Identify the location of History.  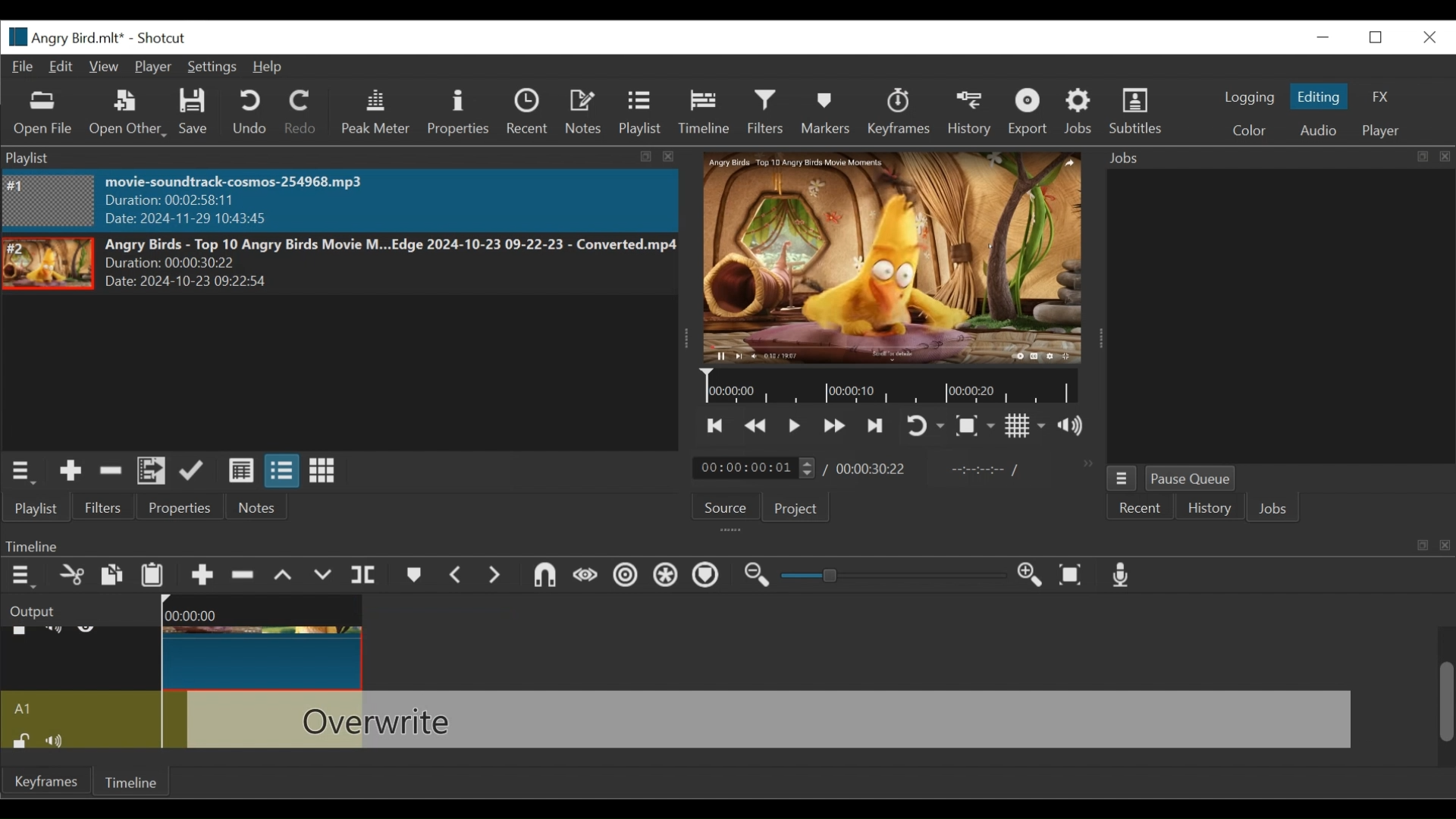
(968, 113).